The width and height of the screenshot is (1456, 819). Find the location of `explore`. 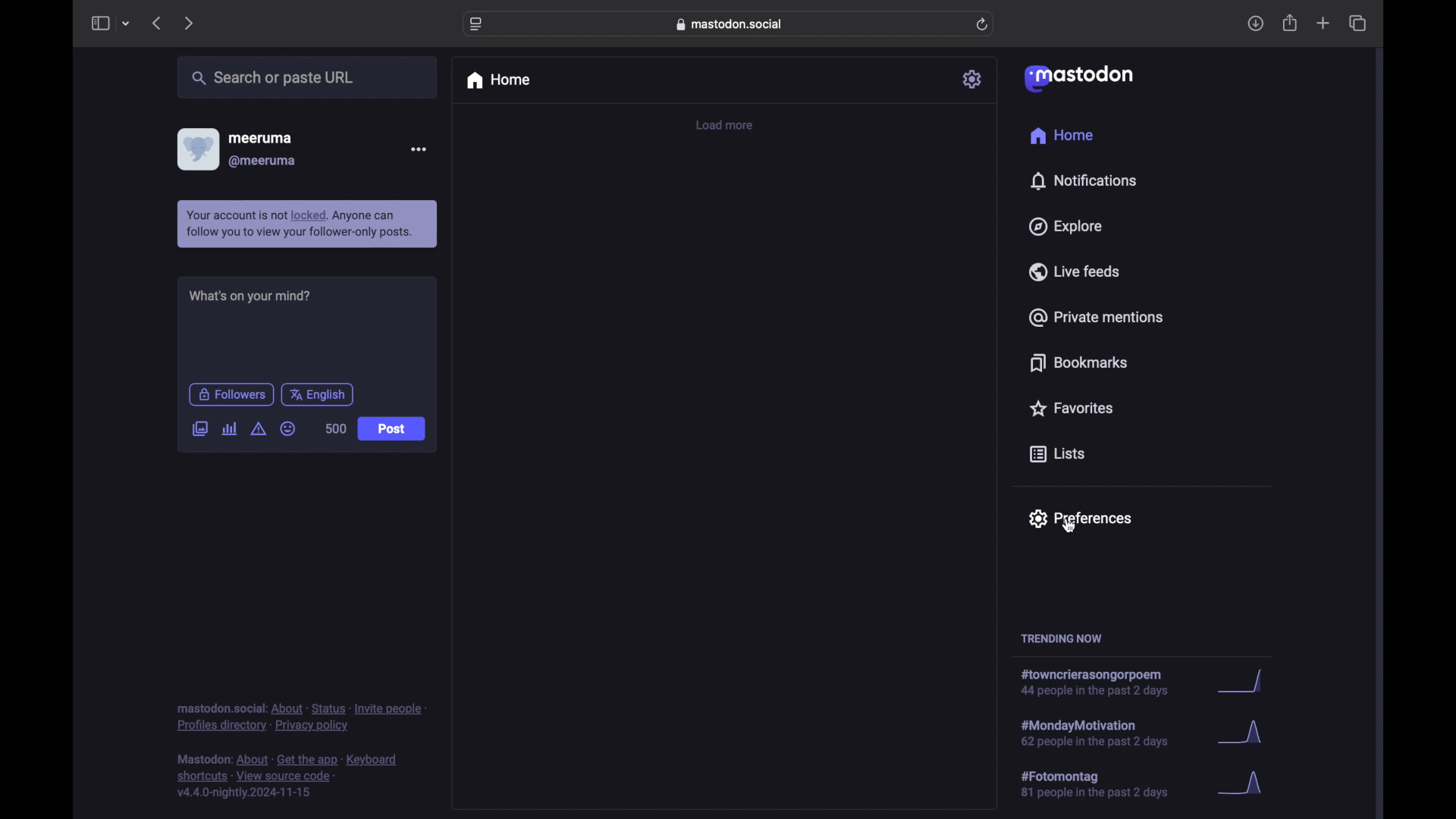

explore is located at coordinates (1065, 226).